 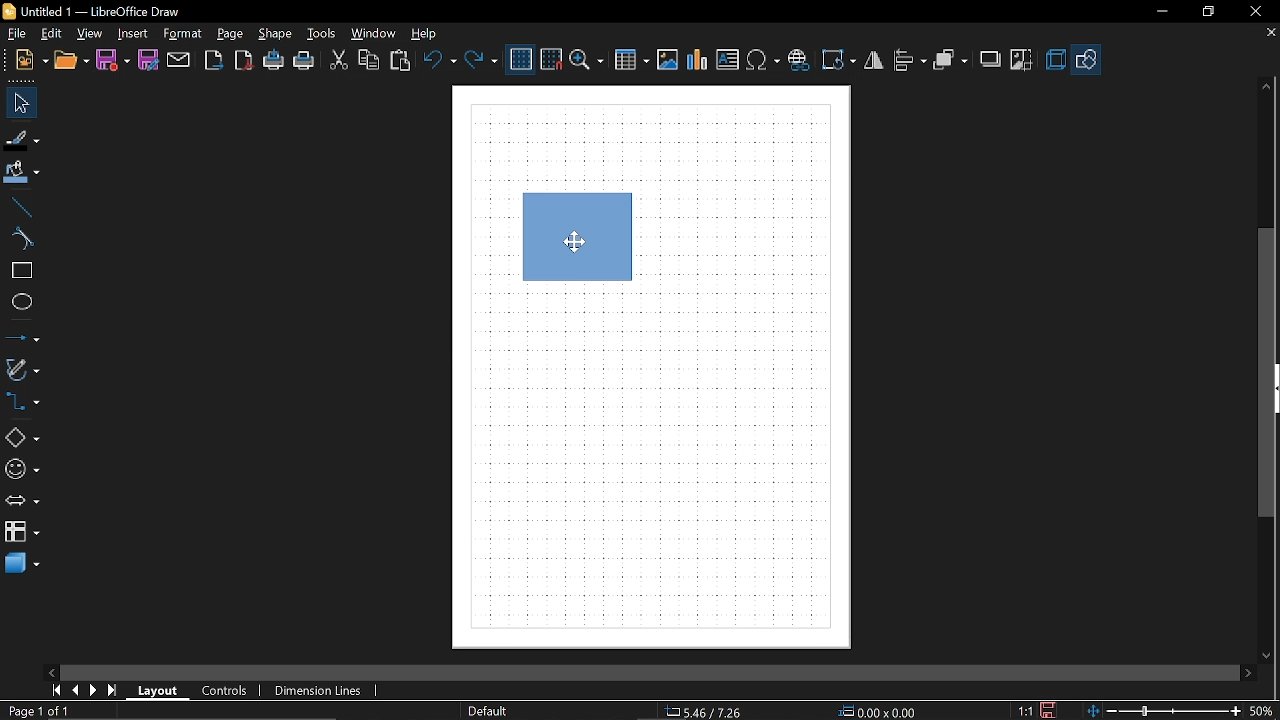 I want to click on Save as, so click(x=148, y=60).